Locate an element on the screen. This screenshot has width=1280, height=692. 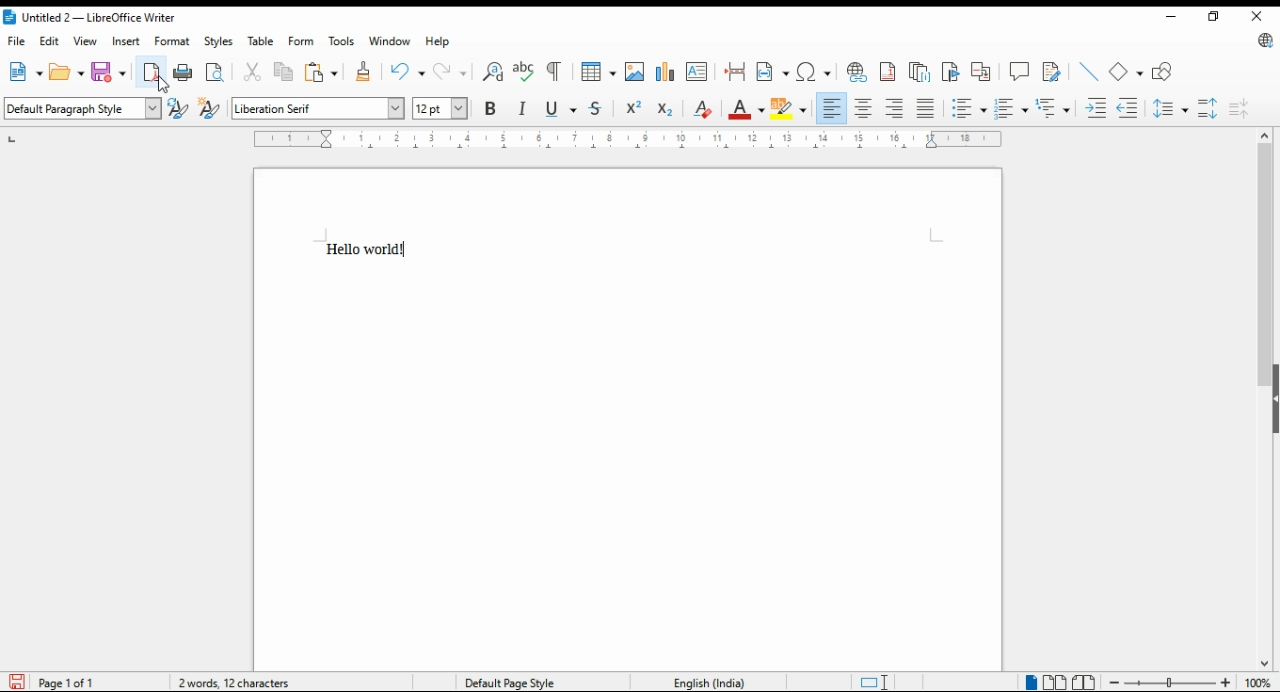
insert is located at coordinates (128, 42).